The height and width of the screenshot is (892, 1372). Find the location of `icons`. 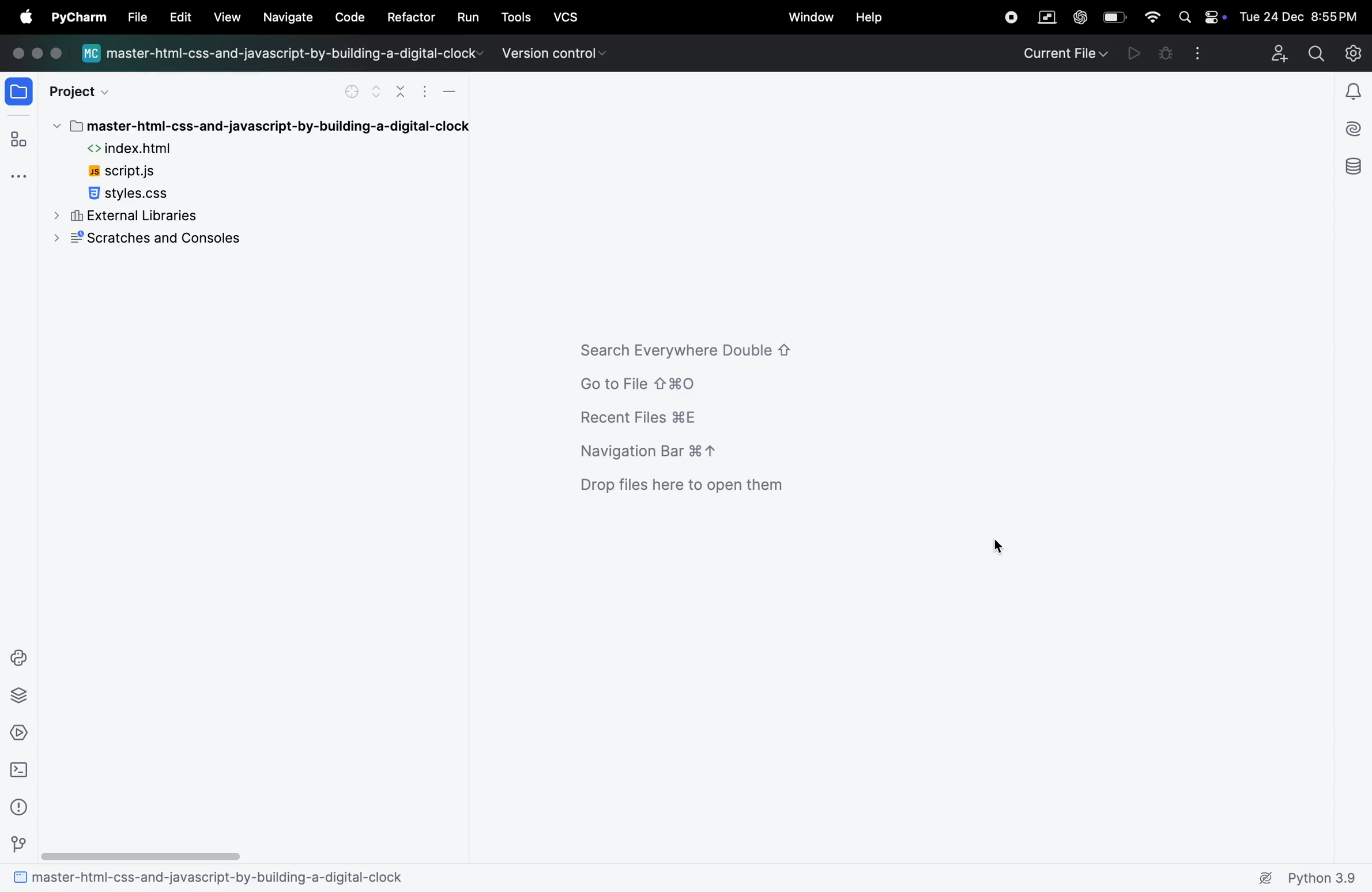

icons is located at coordinates (44, 53).